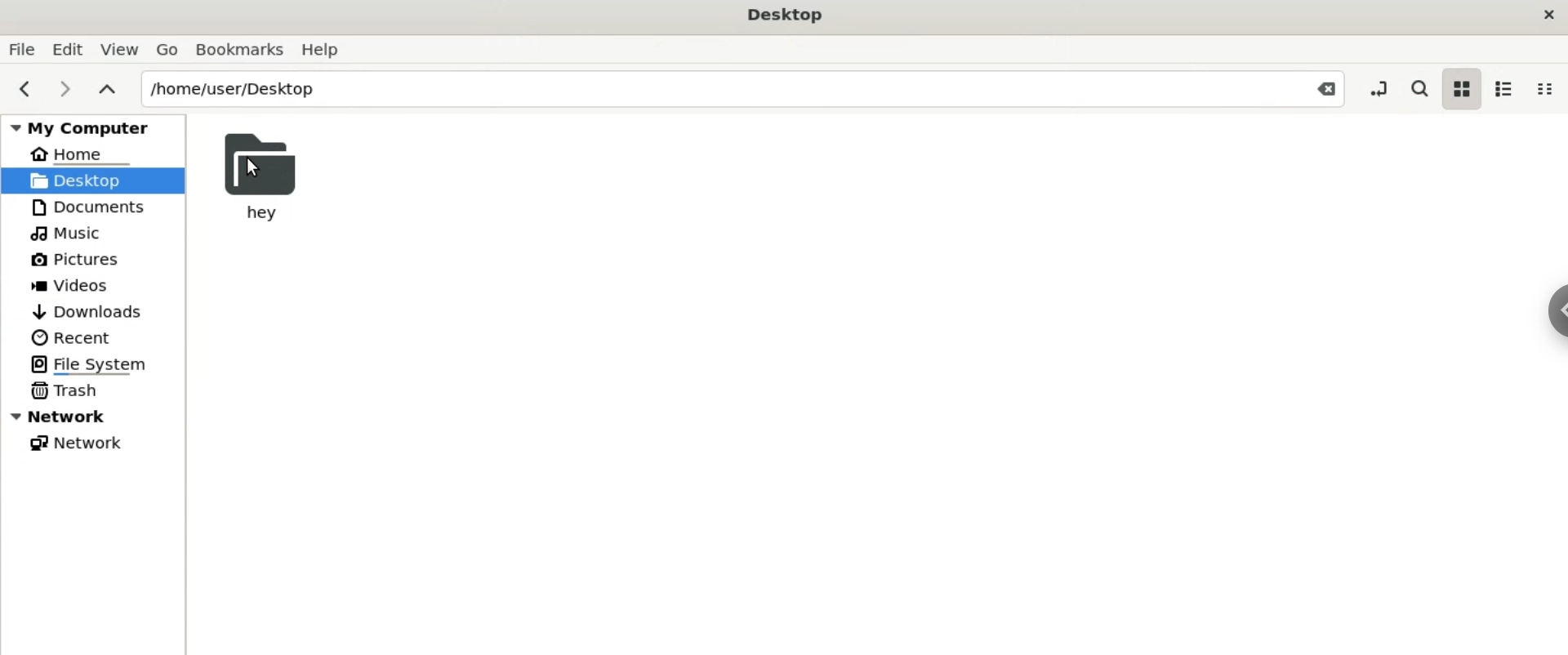 The height and width of the screenshot is (655, 1568). I want to click on hey, so click(261, 175).